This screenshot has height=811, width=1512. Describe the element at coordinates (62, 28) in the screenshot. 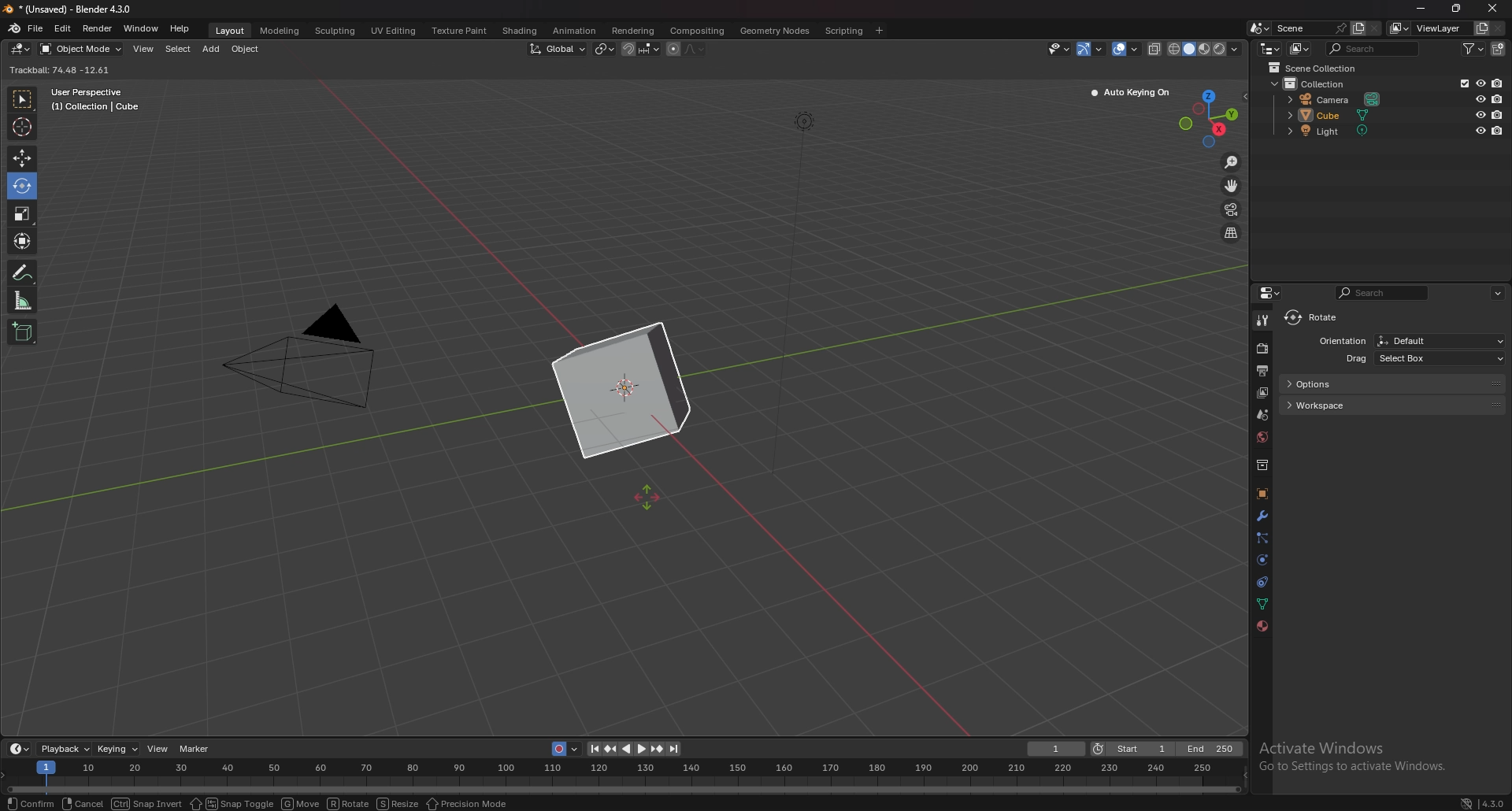

I see `edit` at that location.